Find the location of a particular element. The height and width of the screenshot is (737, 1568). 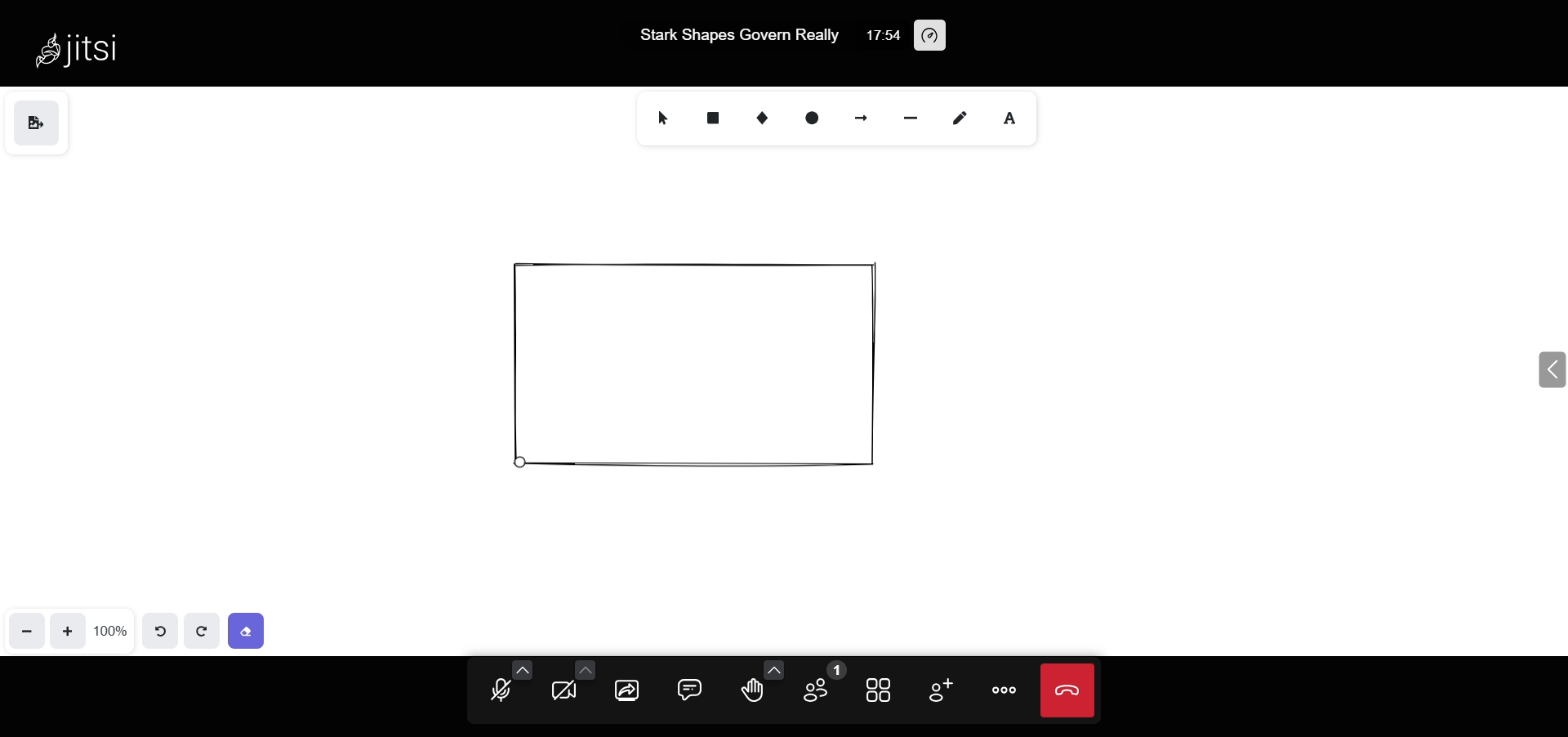

content is located at coordinates (702, 368).